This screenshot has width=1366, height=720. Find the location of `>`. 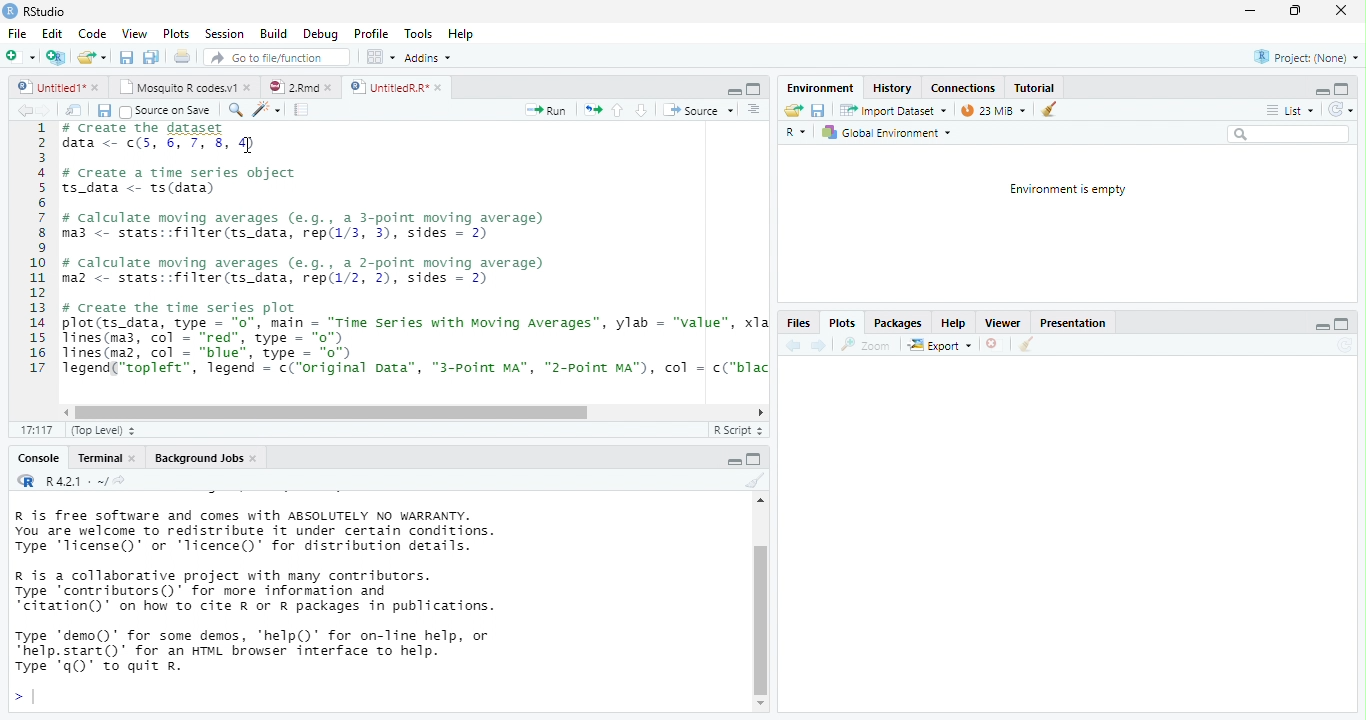

> is located at coordinates (23, 698).